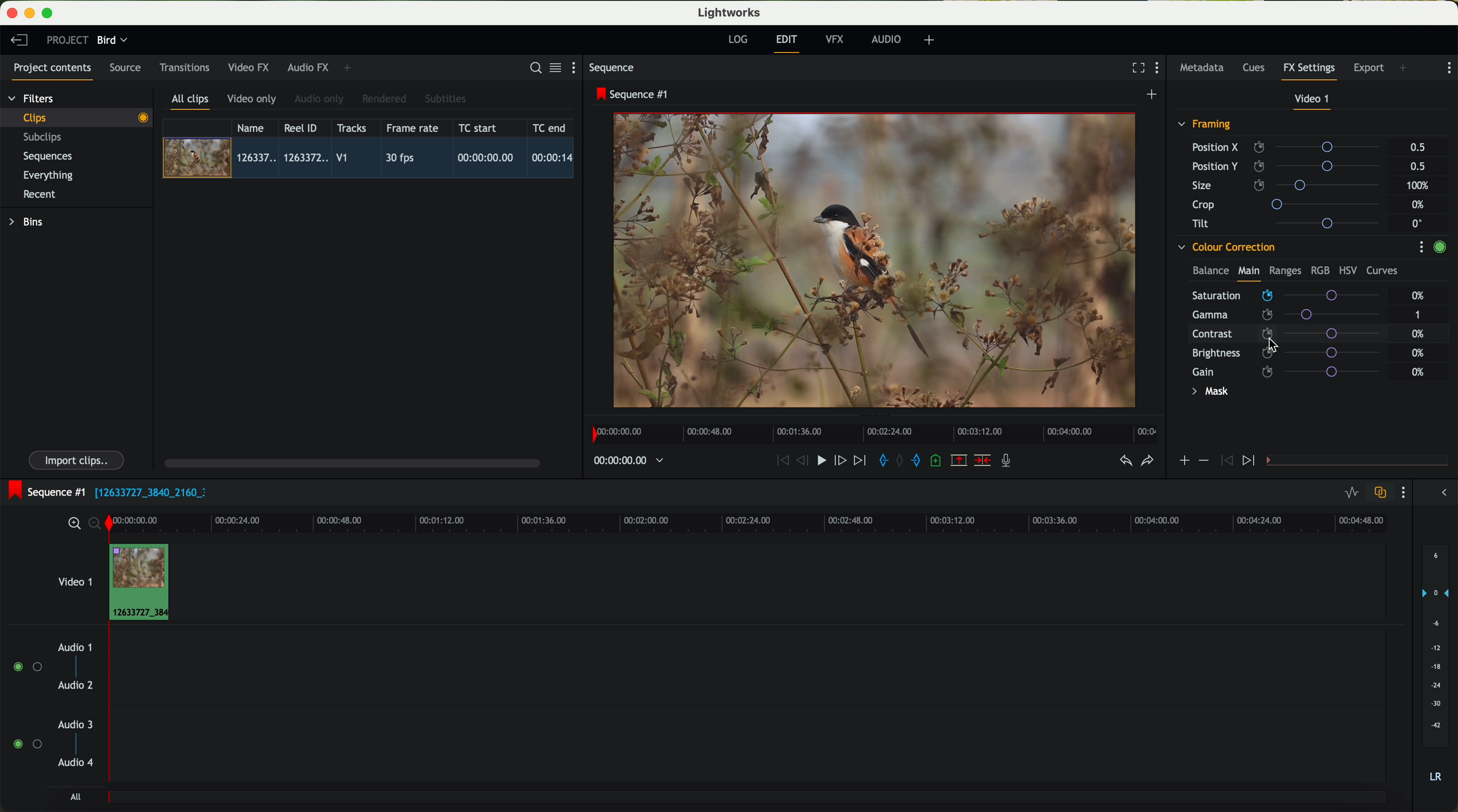 The height and width of the screenshot is (812, 1458). I want to click on minimize program, so click(32, 14).